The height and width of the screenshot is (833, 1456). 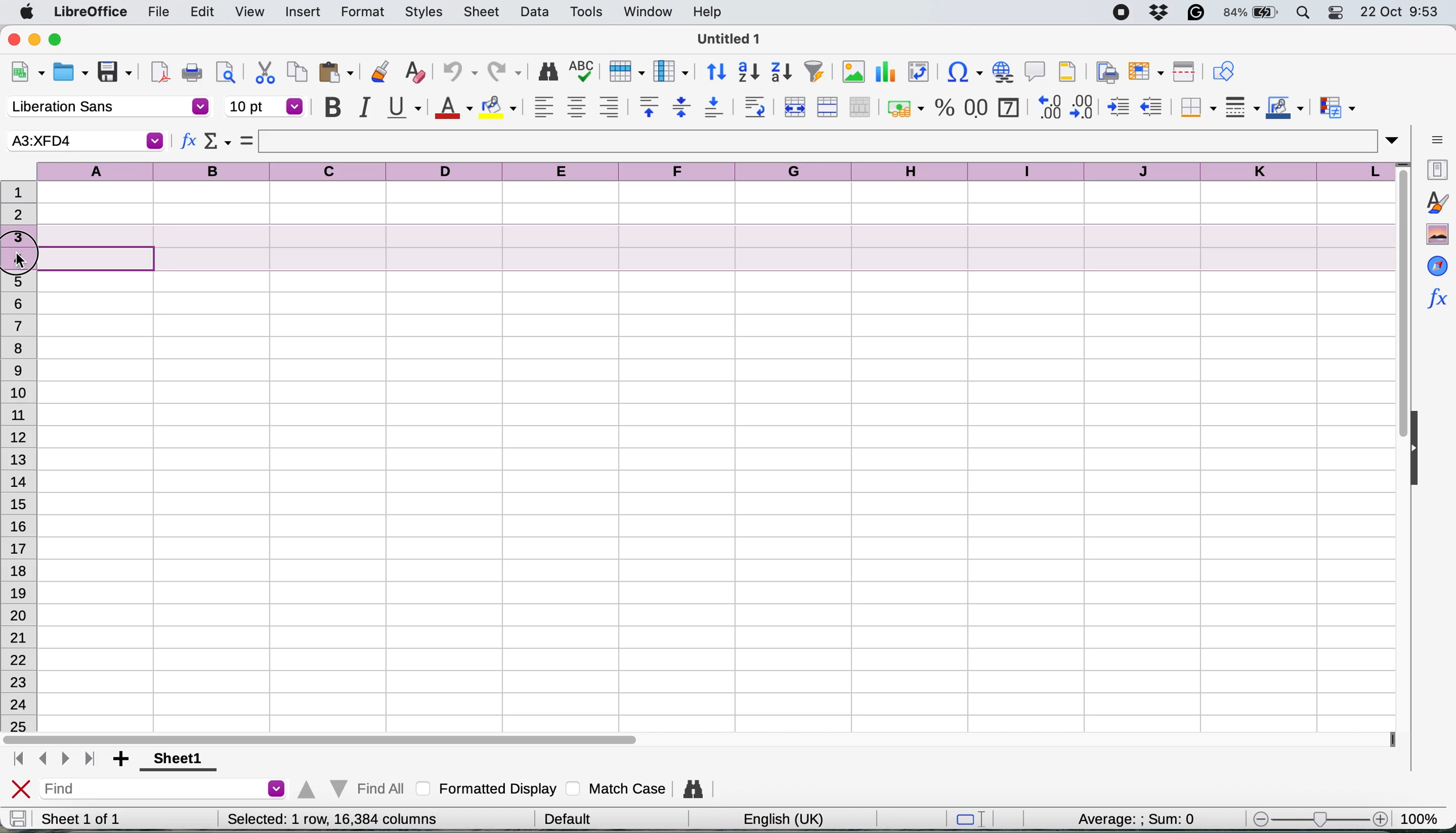 What do you see at coordinates (1437, 235) in the screenshot?
I see `gallery` at bounding box center [1437, 235].